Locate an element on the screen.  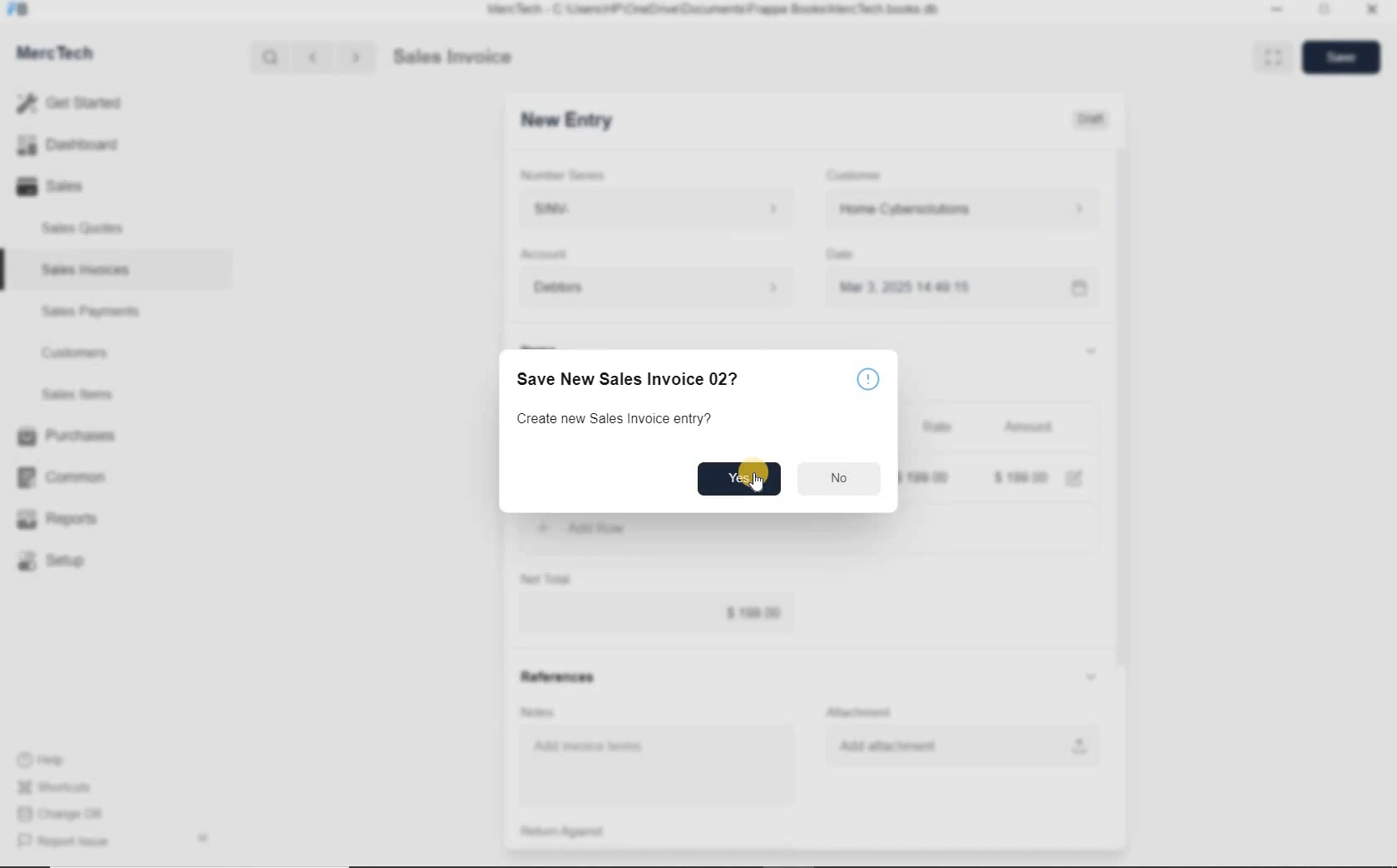
Change DB is located at coordinates (62, 814).